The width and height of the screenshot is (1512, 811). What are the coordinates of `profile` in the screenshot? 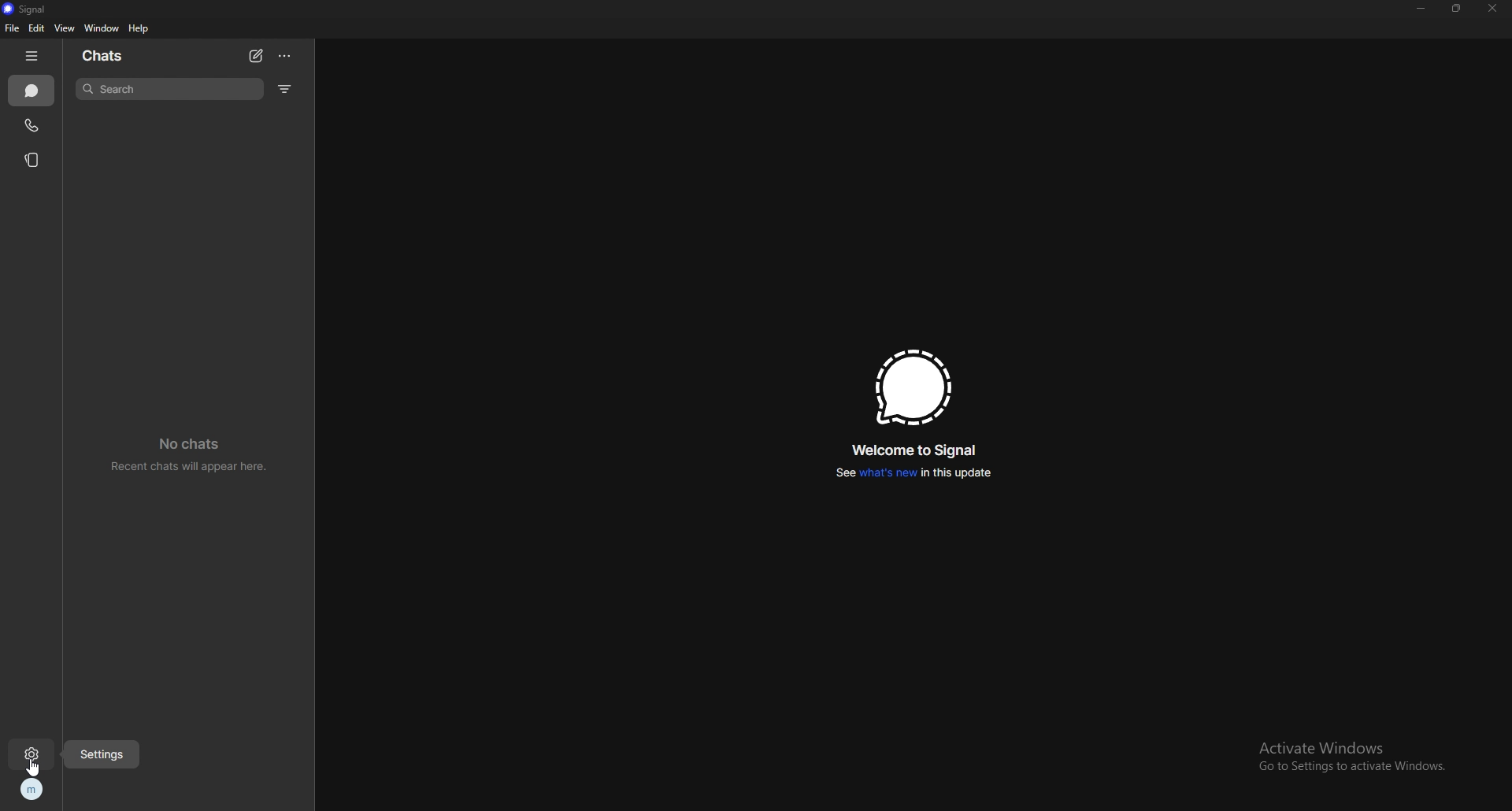 It's located at (31, 791).